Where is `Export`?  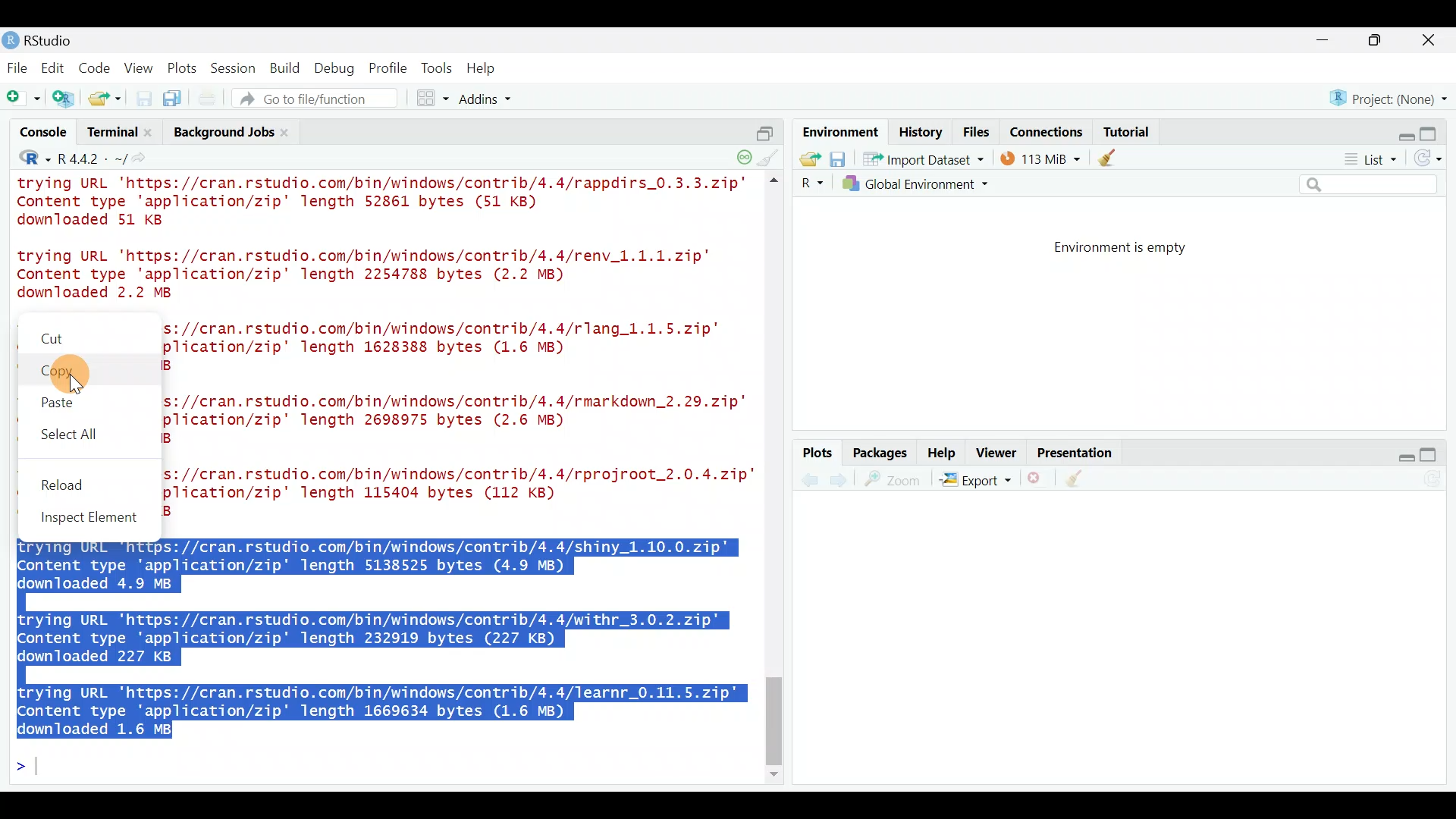 Export is located at coordinates (975, 482).